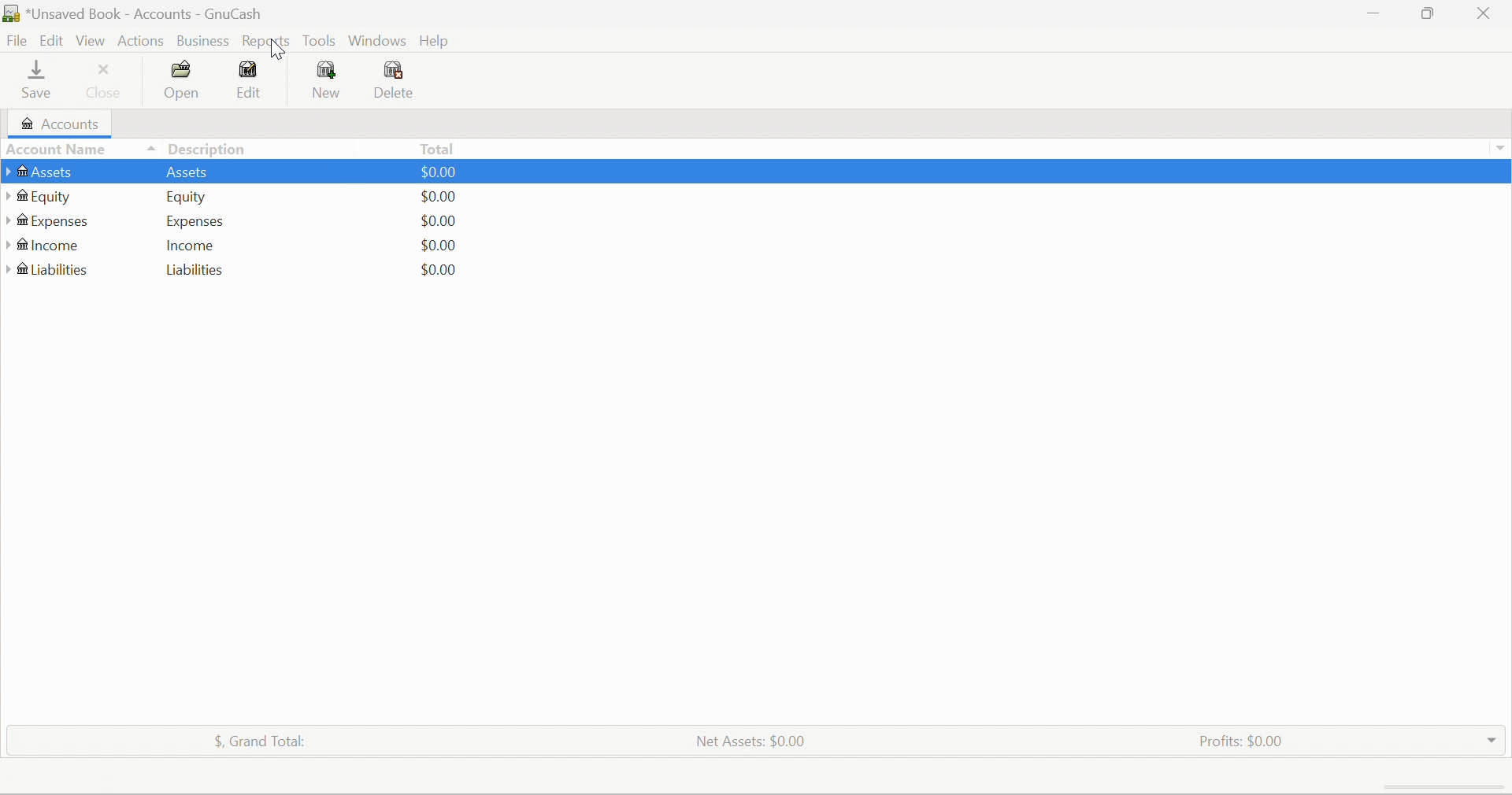 The width and height of the screenshot is (1512, 795). Describe the element at coordinates (188, 174) in the screenshot. I see `Asets` at that location.